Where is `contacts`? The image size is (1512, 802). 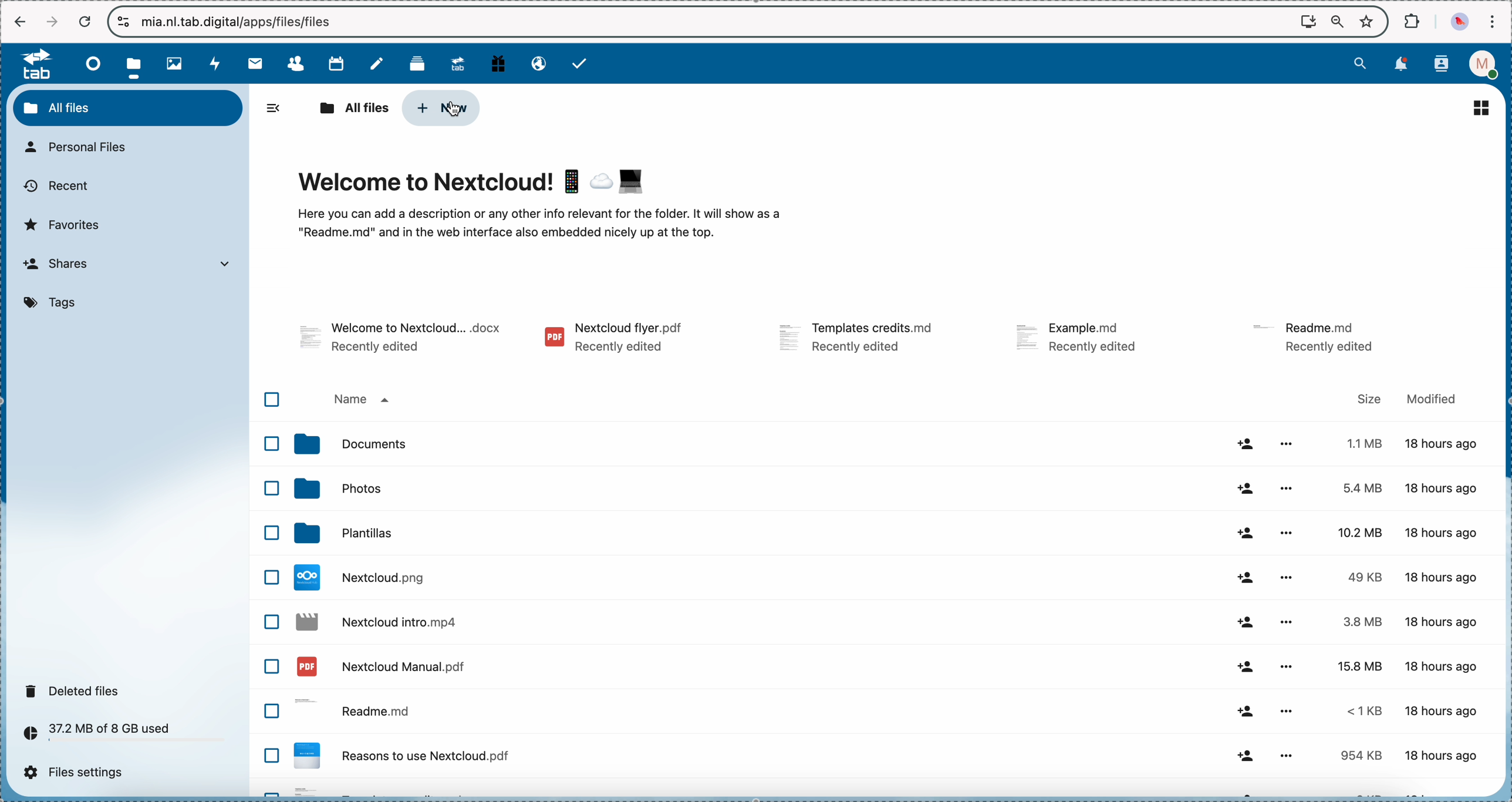 contacts is located at coordinates (295, 64).